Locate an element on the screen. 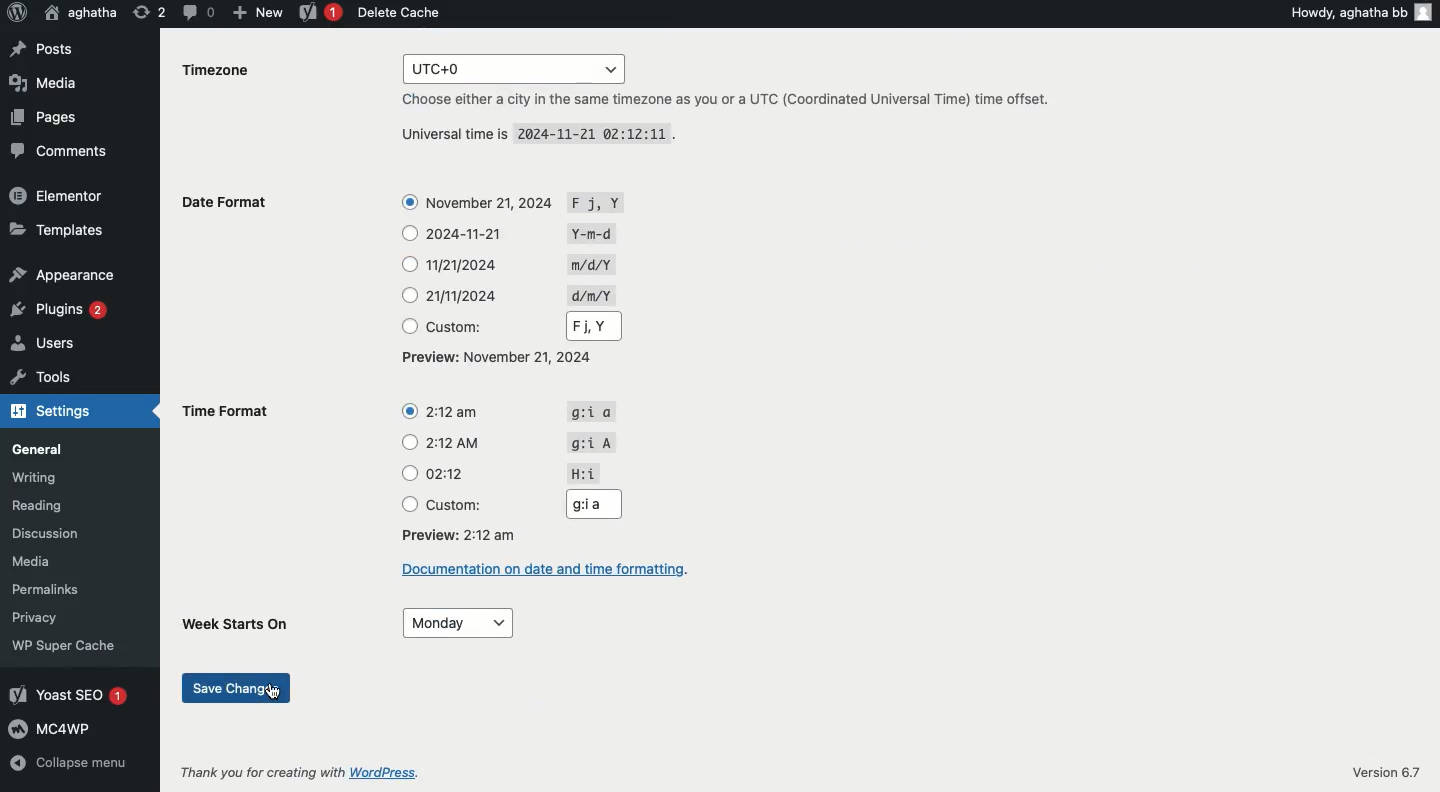 The image size is (1440, 792). Cursor is located at coordinates (281, 695).